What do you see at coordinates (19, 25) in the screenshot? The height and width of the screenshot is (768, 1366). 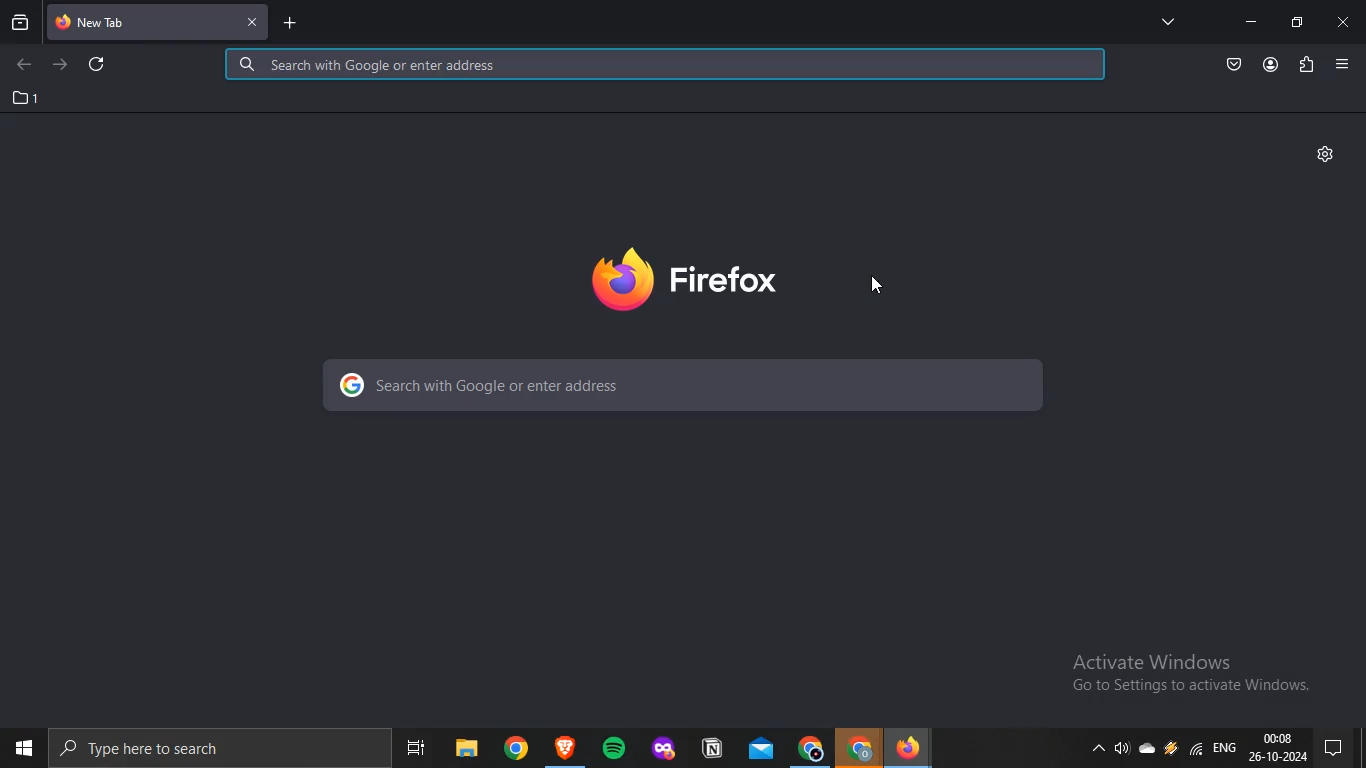 I see `recent browsing` at bounding box center [19, 25].